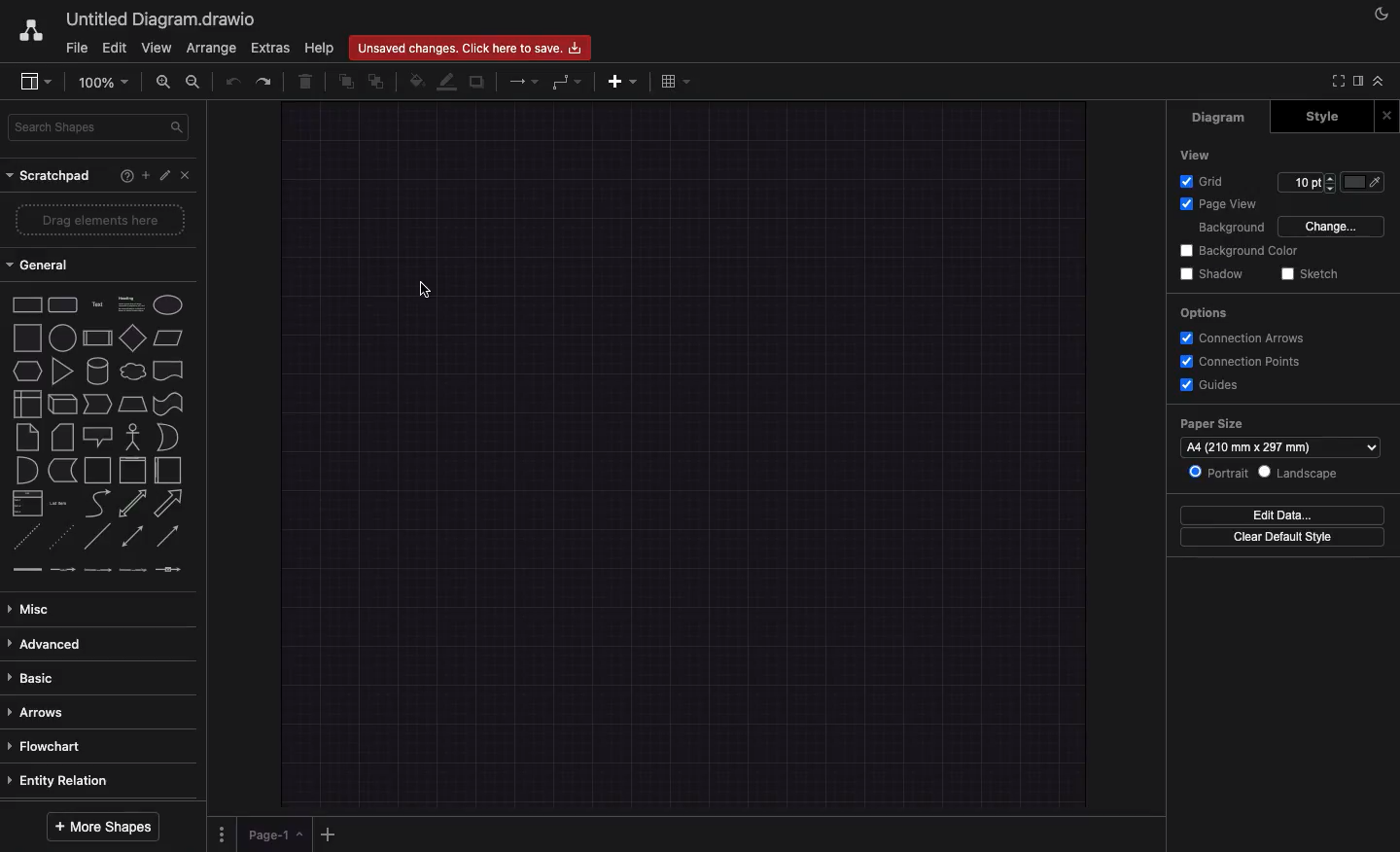 The height and width of the screenshot is (852, 1400). What do you see at coordinates (1339, 83) in the screenshot?
I see `Full screen` at bounding box center [1339, 83].